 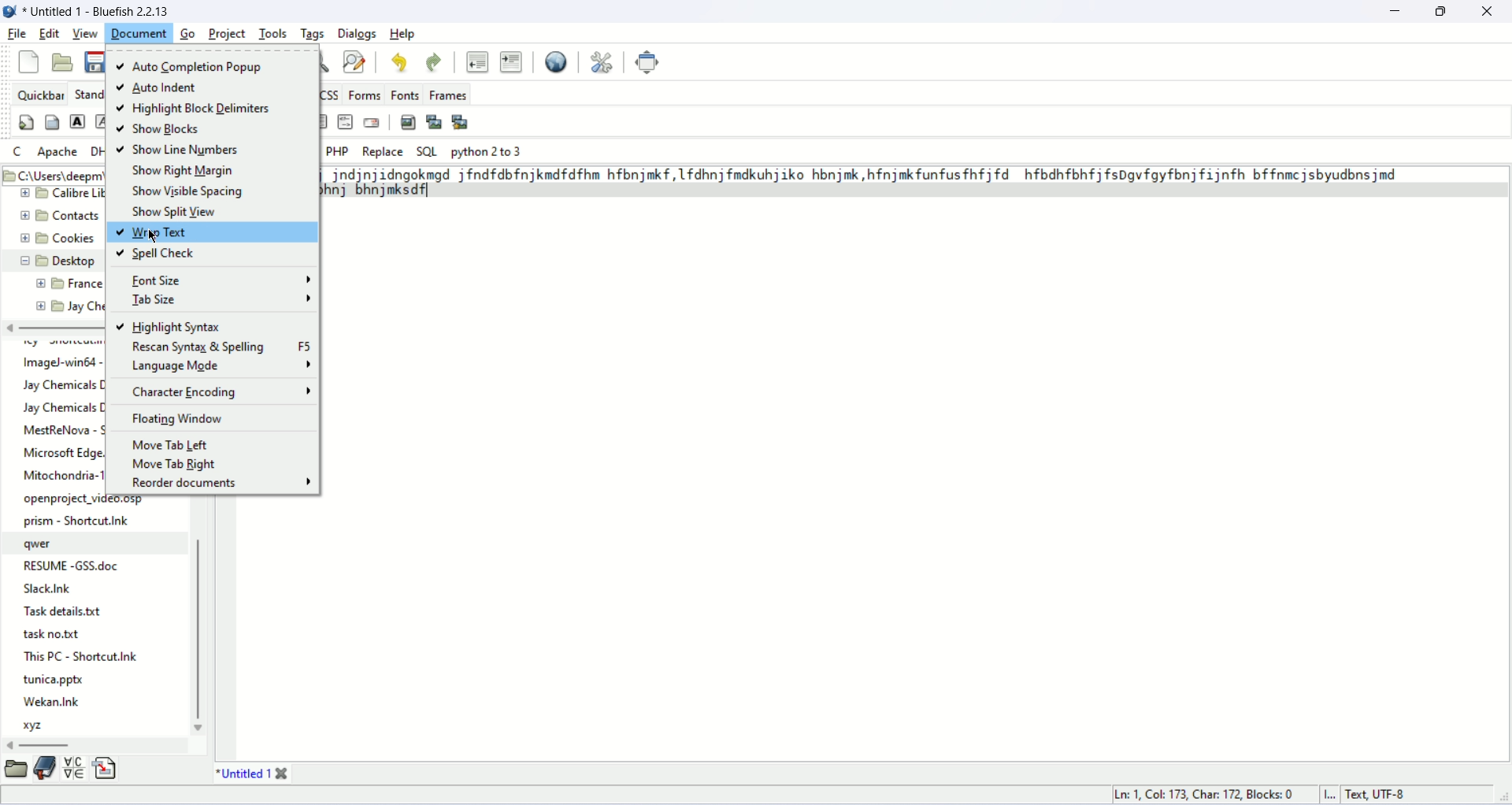 What do you see at coordinates (313, 32) in the screenshot?
I see `tags` at bounding box center [313, 32].